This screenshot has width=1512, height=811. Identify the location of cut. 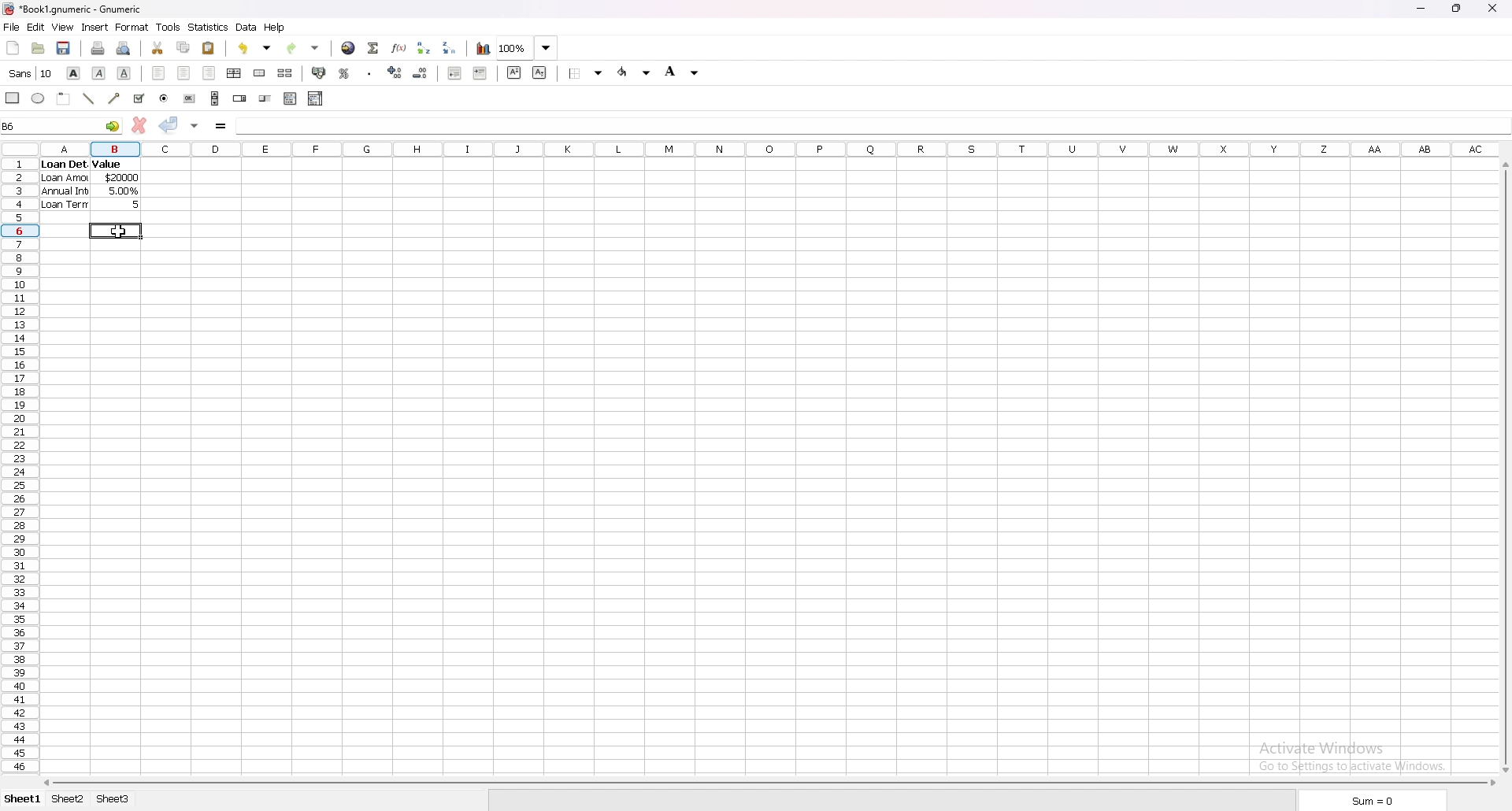
(157, 47).